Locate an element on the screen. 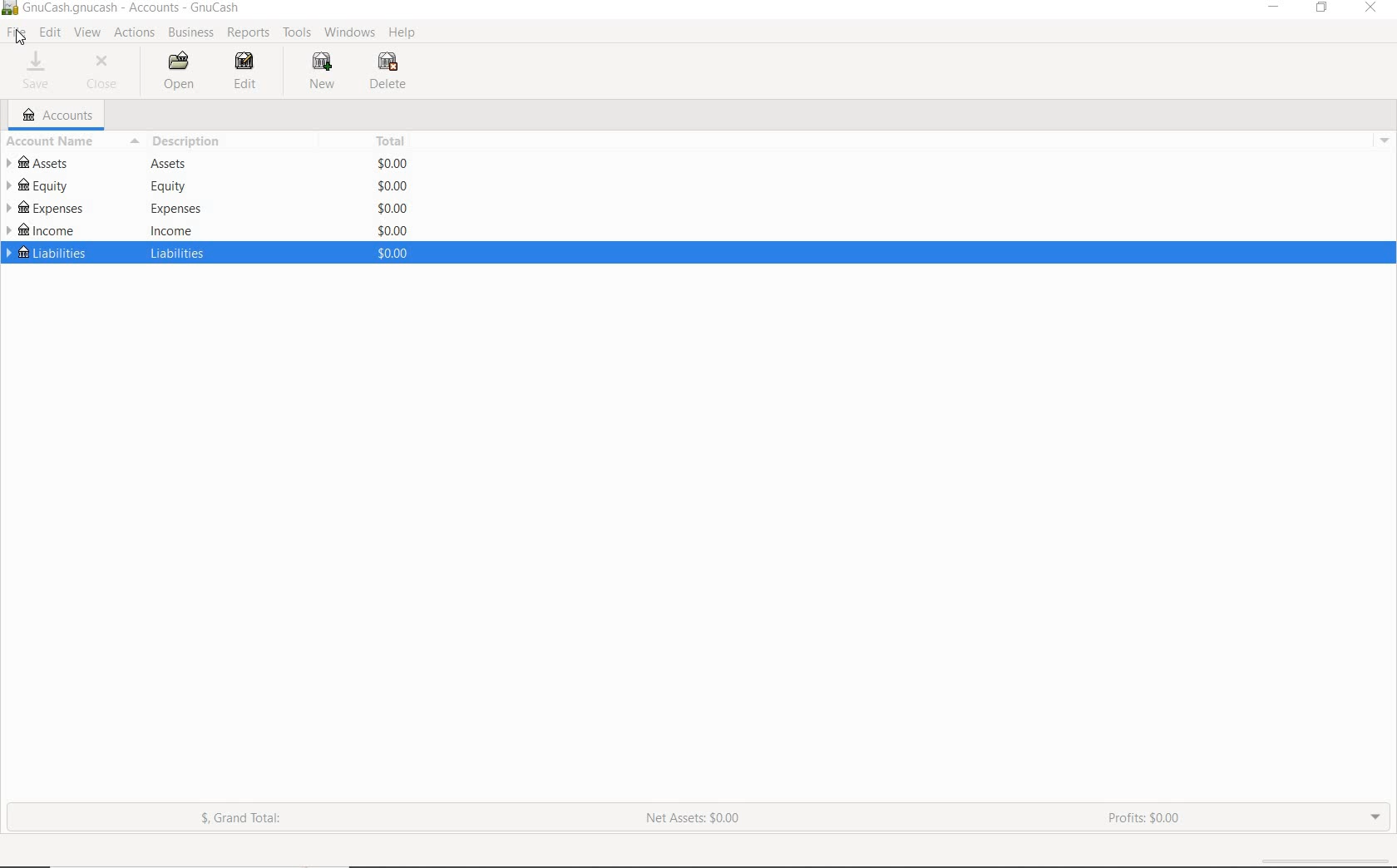  EXPENSES is located at coordinates (45, 207).